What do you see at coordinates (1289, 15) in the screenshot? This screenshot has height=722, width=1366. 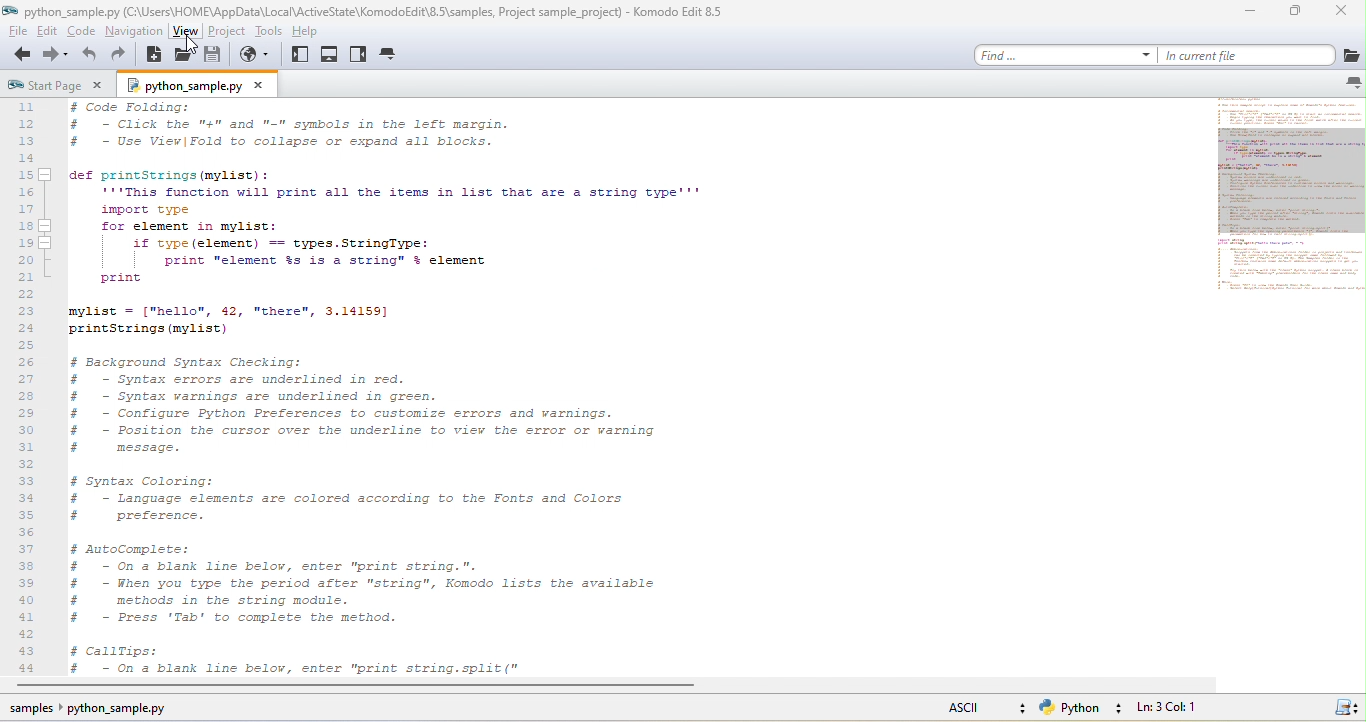 I see `maximize` at bounding box center [1289, 15].